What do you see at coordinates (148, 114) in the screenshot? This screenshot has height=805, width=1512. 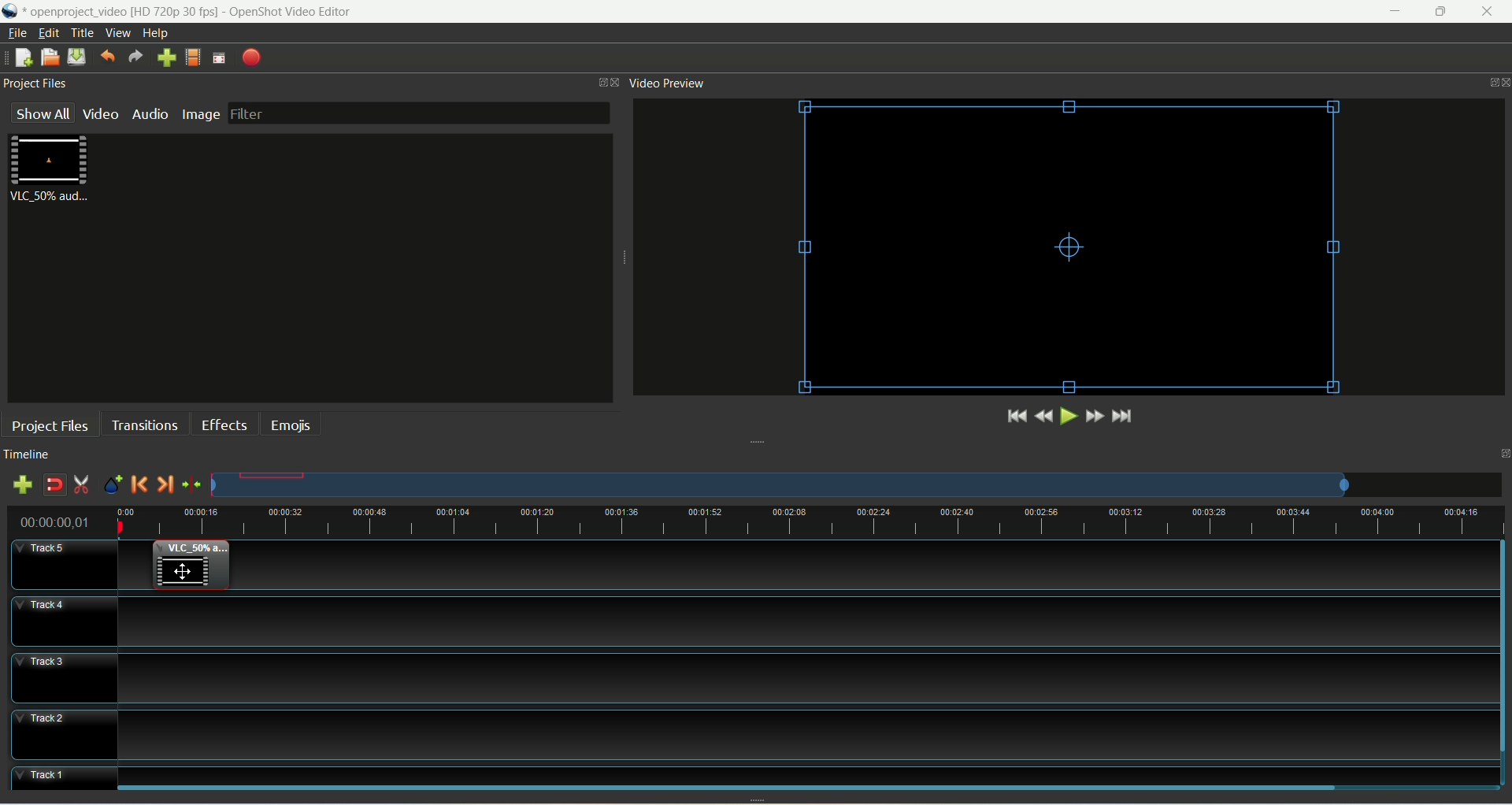 I see `audio` at bounding box center [148, 114].